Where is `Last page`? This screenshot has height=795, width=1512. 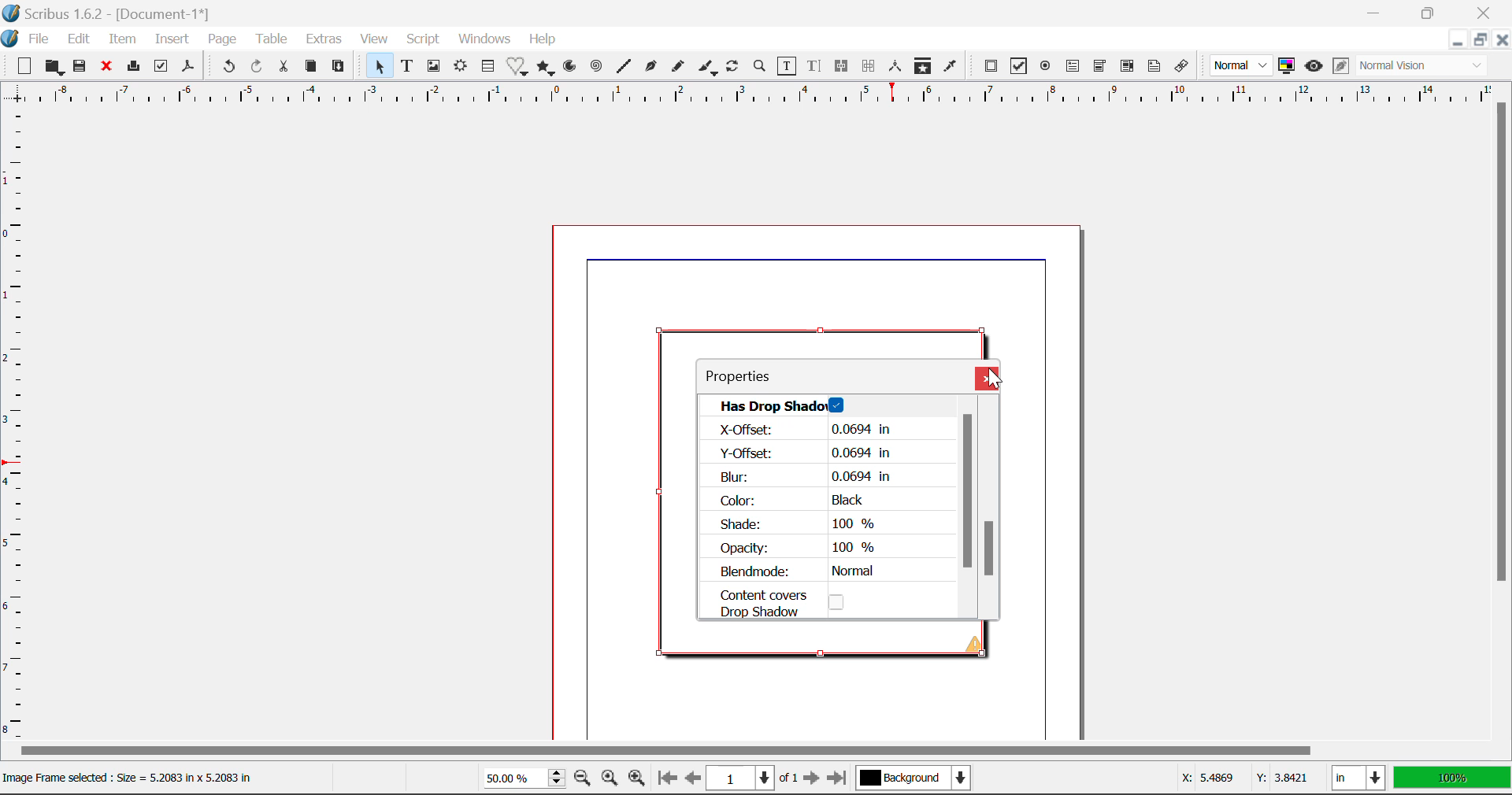
Last page is located at coordinates (840, 775).